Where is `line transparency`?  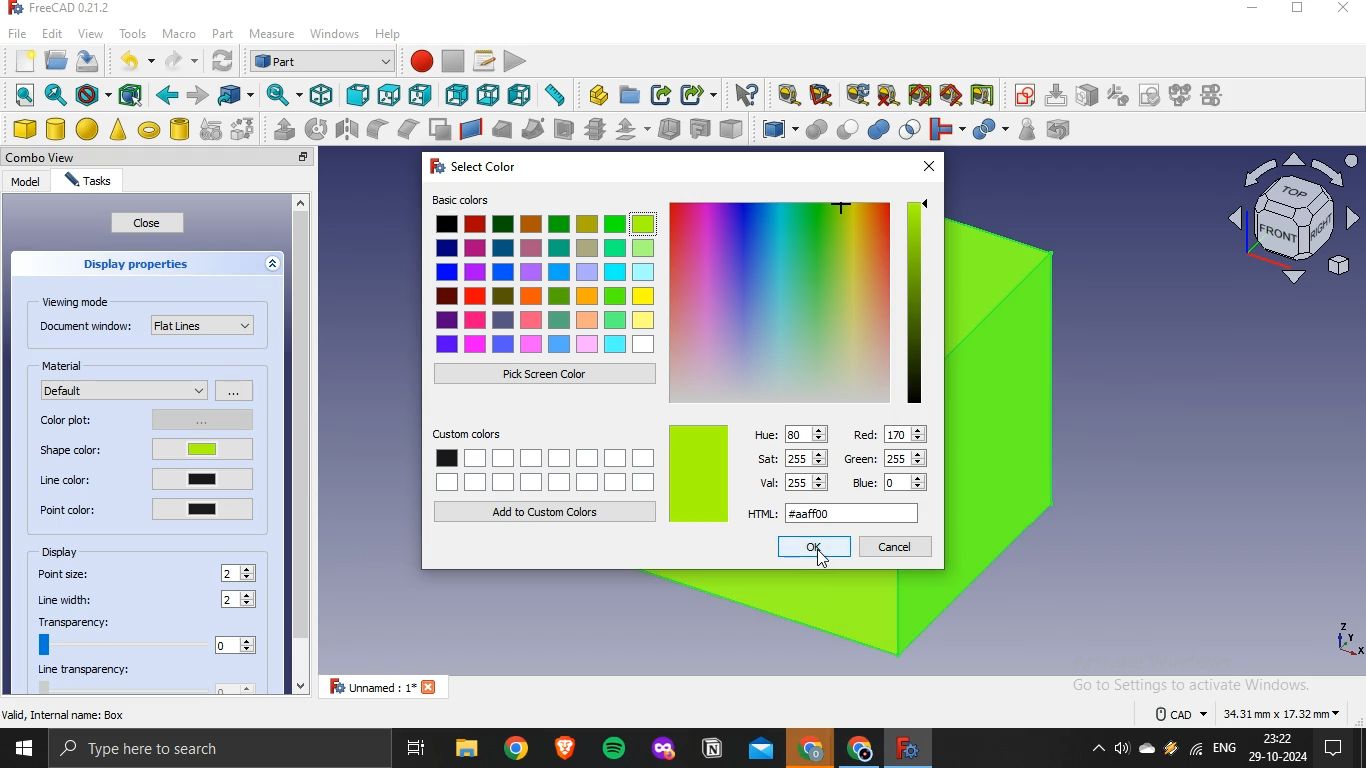
line transparency is located at coordinates (150, 679).